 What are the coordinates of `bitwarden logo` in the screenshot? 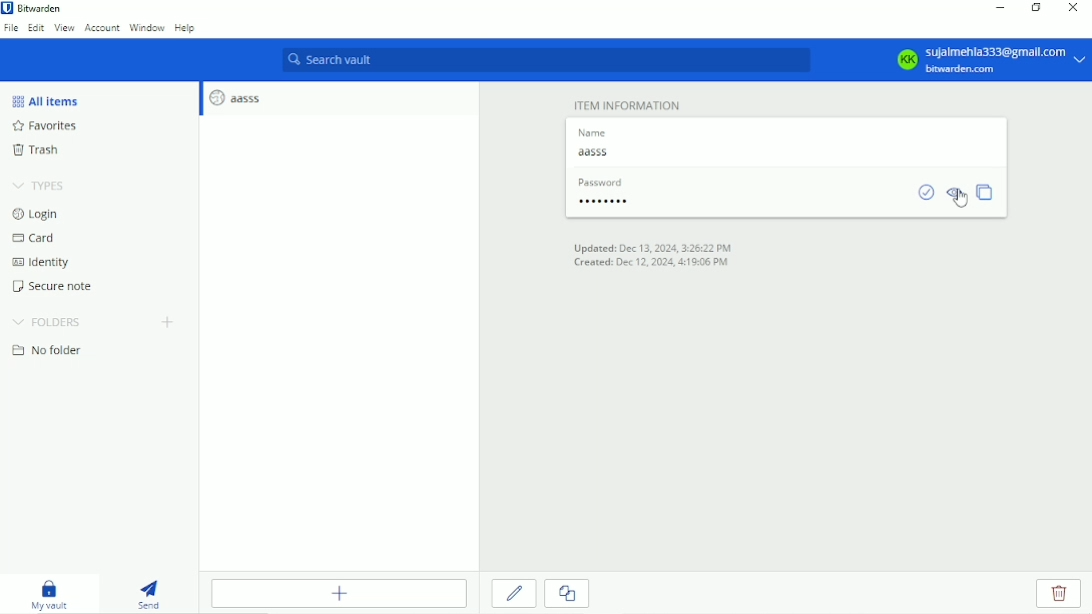 It's located at (9, 10).